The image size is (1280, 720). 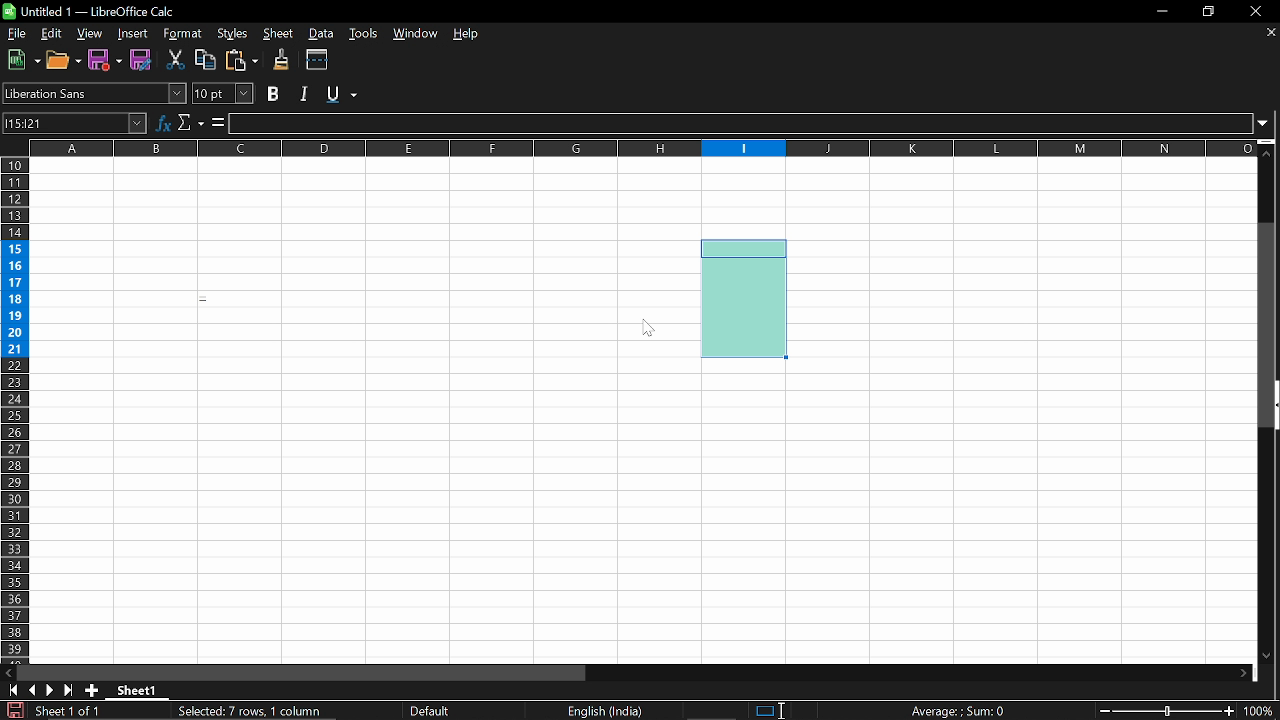 I want to click on Fillable cells, so click(x=975, y=510).